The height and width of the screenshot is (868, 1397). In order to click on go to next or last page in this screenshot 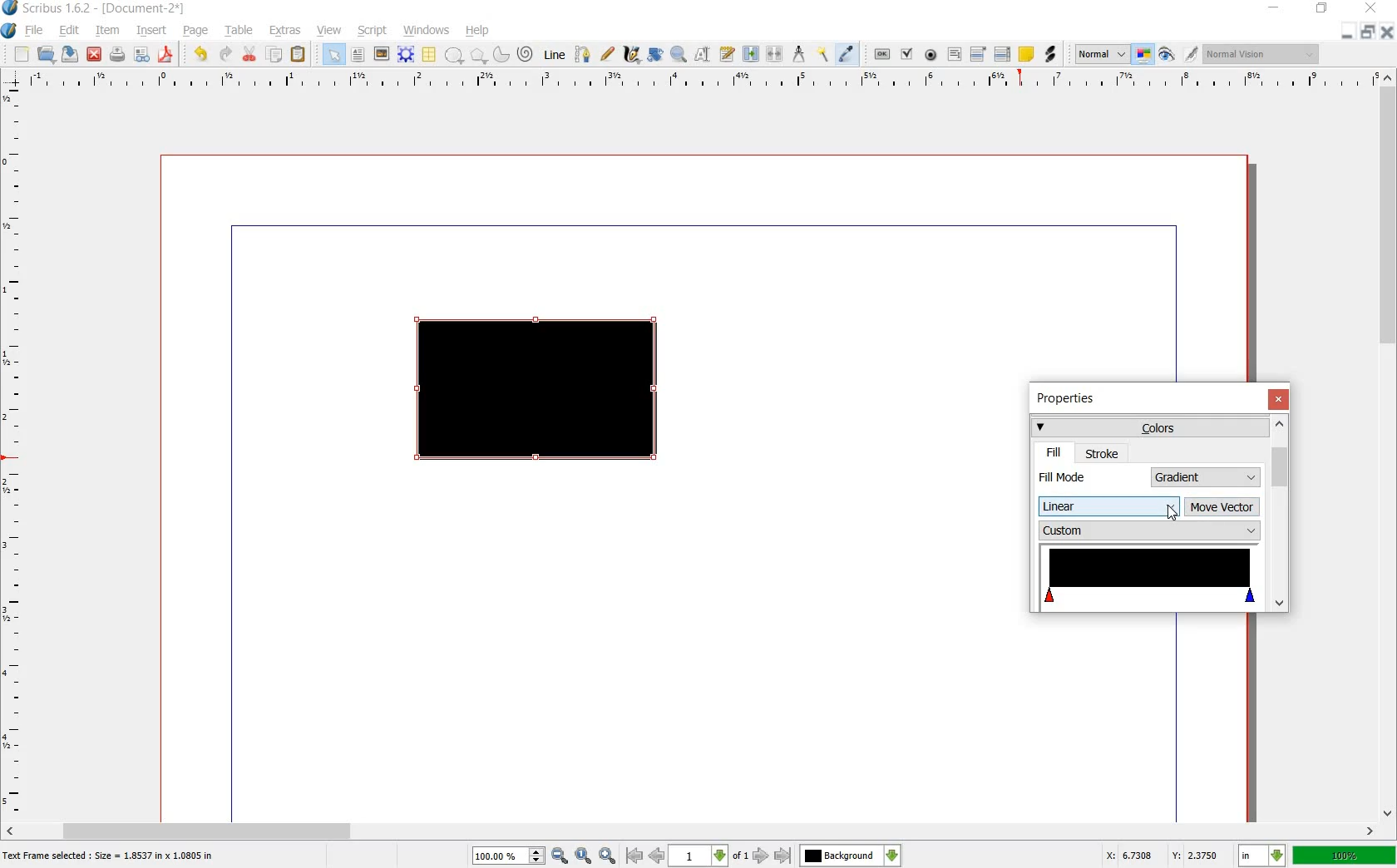, I will do `click(771, 856)`.